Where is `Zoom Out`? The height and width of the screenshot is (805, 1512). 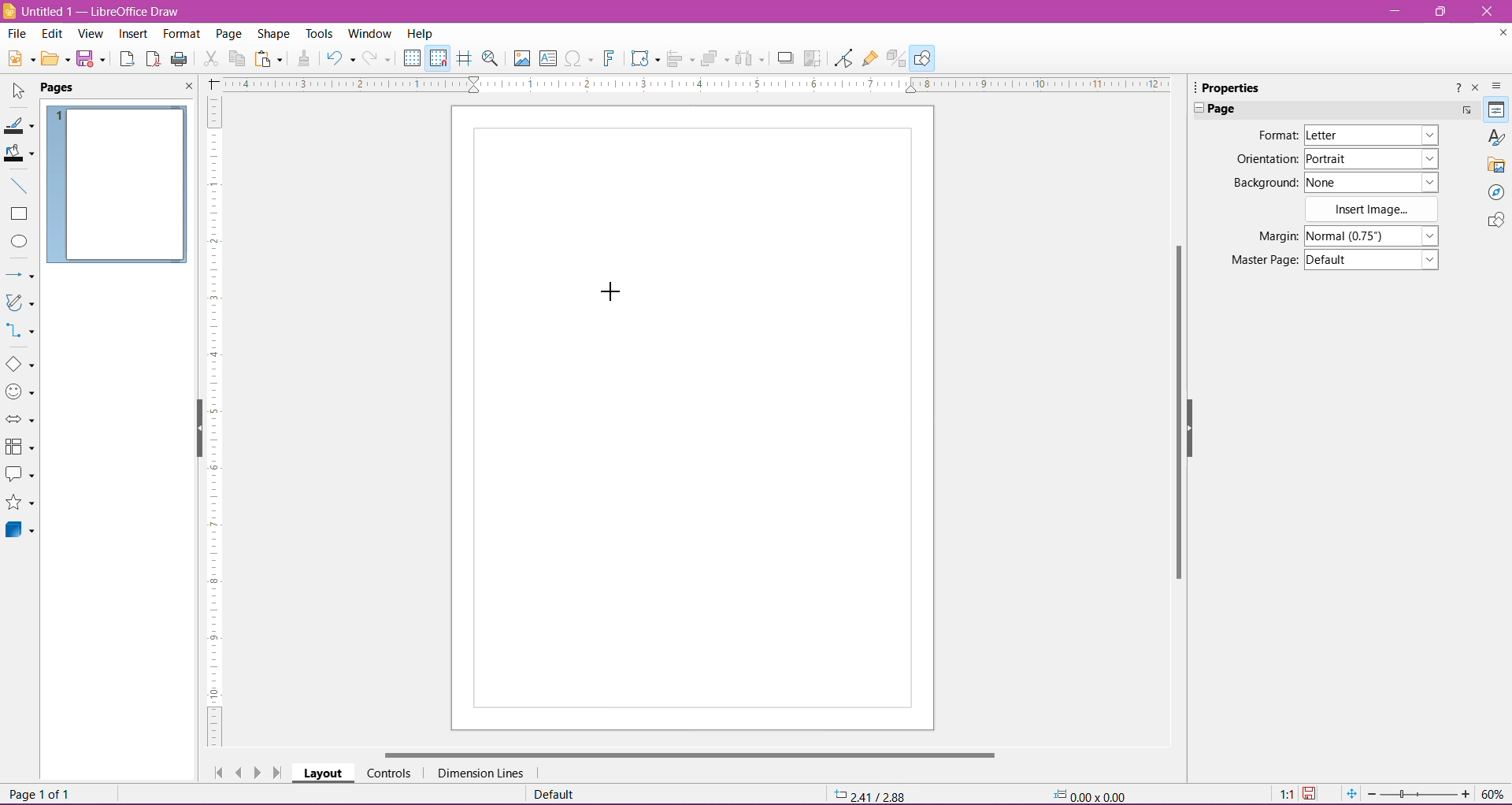
Zoom Out is located at coordinates (1371, 794).